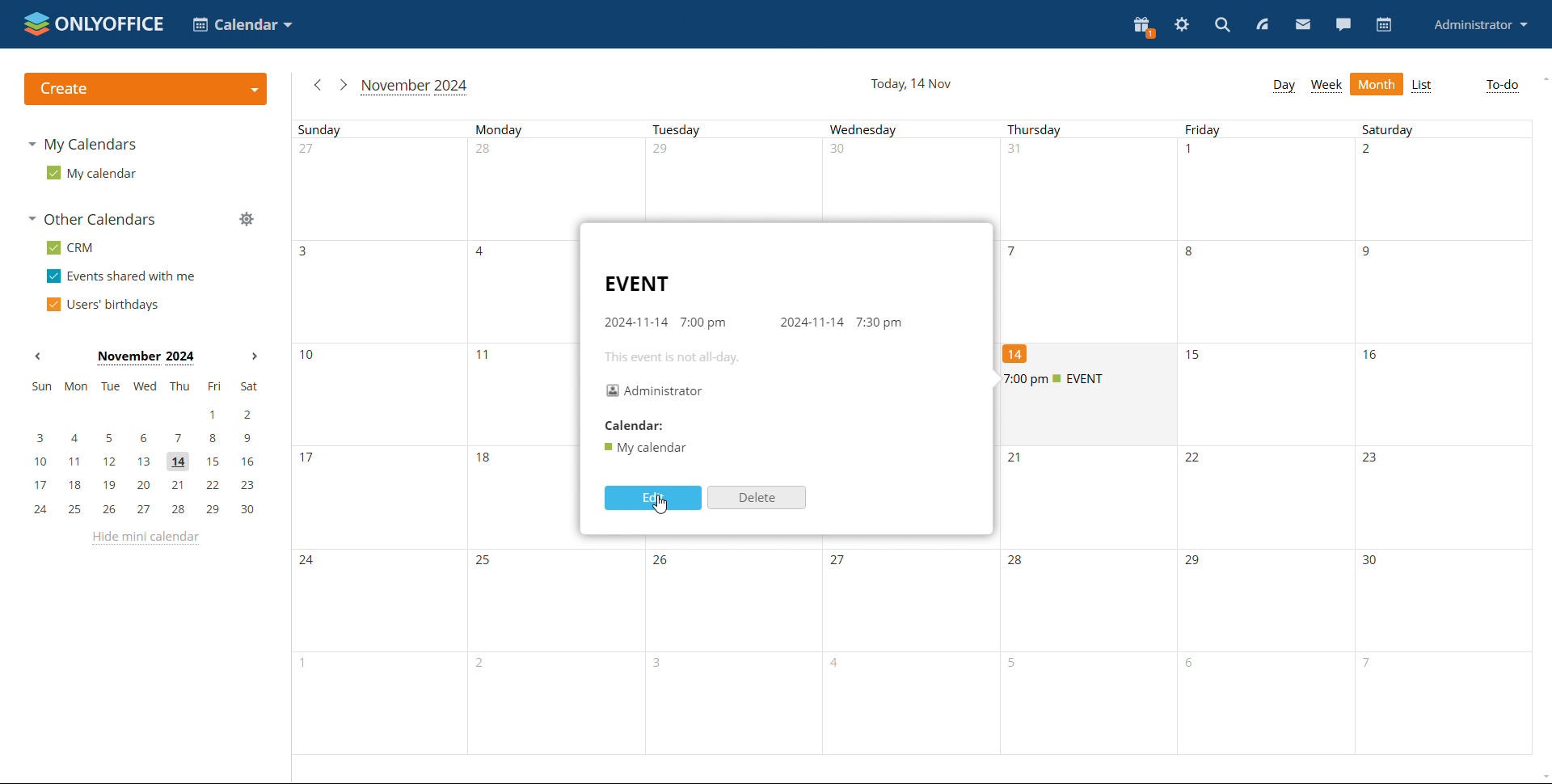 The image size is (1552, 784). I want to click on select application, so click(242, 24).